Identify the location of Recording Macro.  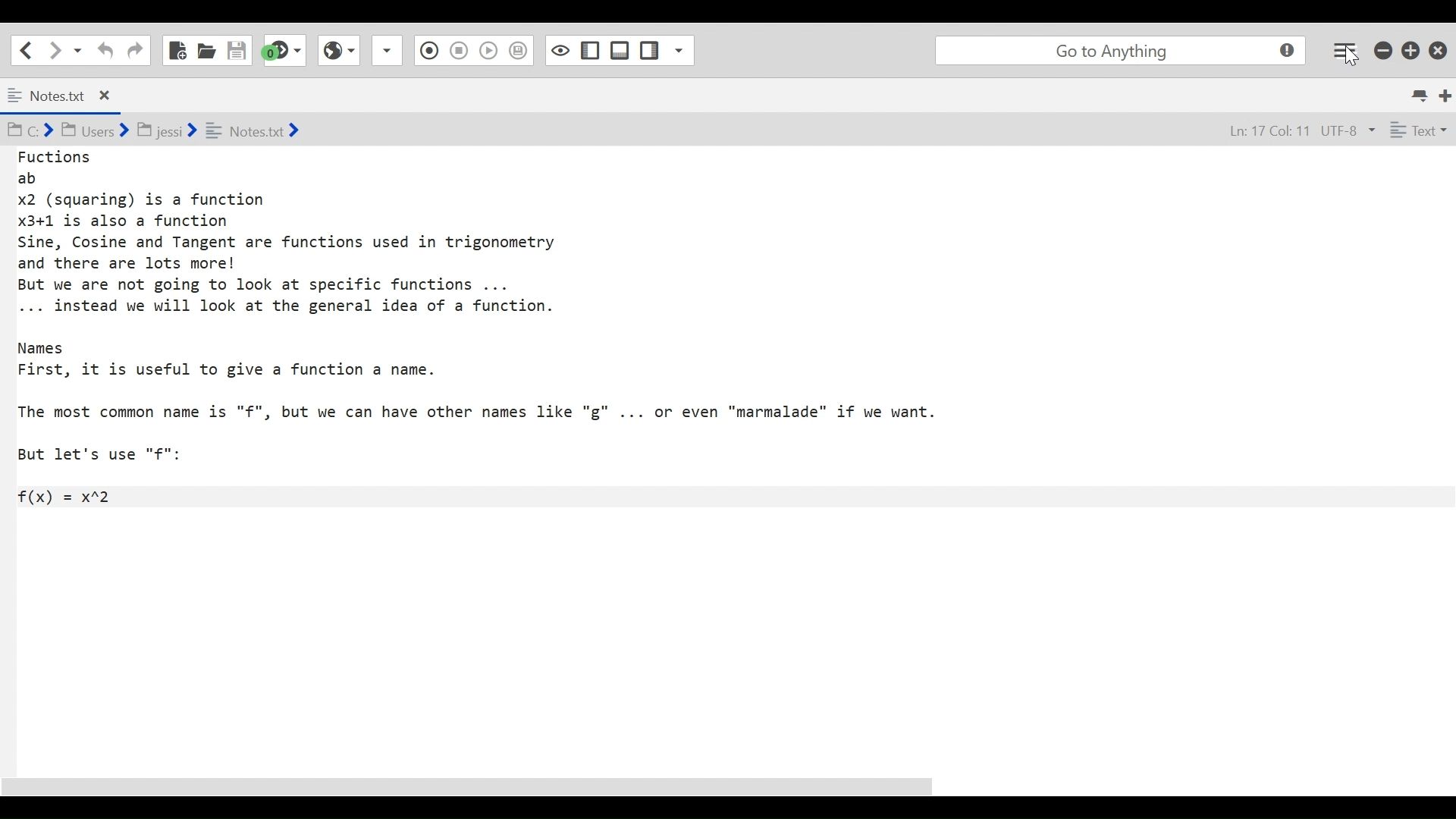
(388, 50).